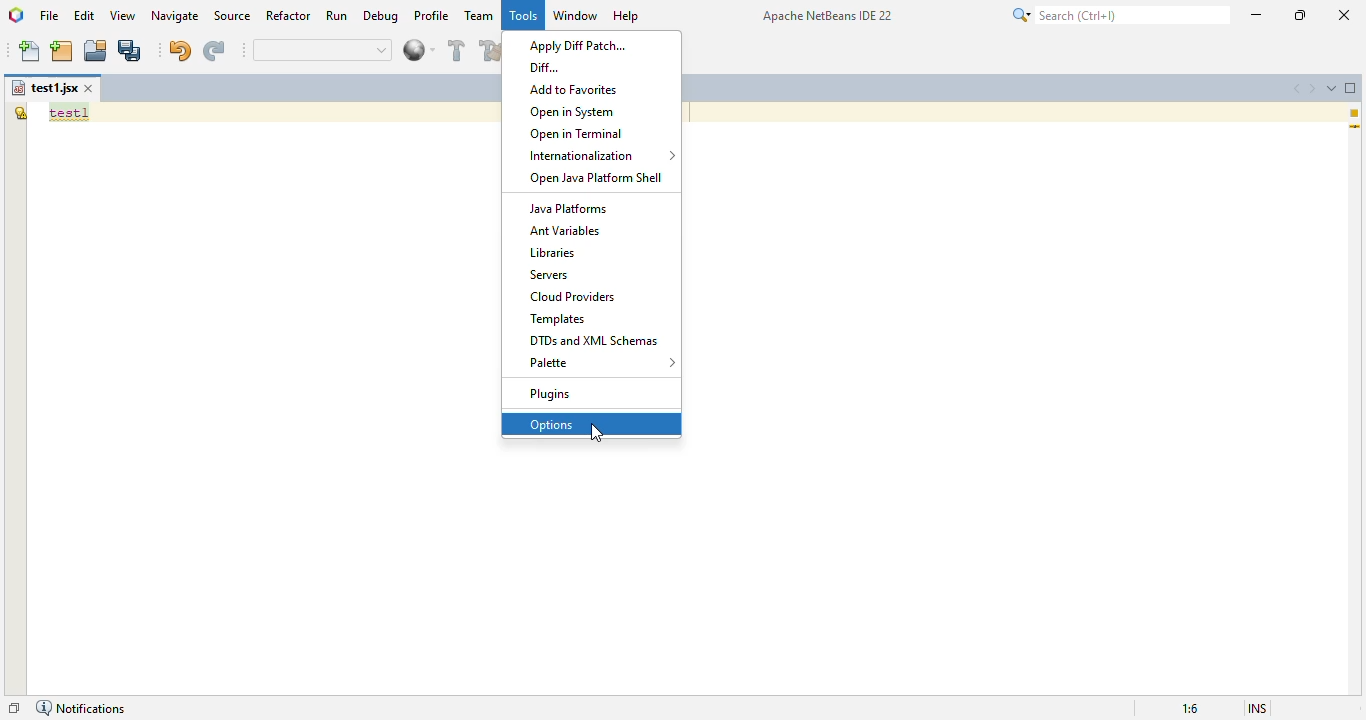  Describe the element at coordinates (15, 14) in the screenshot. I see `logo` at that location.